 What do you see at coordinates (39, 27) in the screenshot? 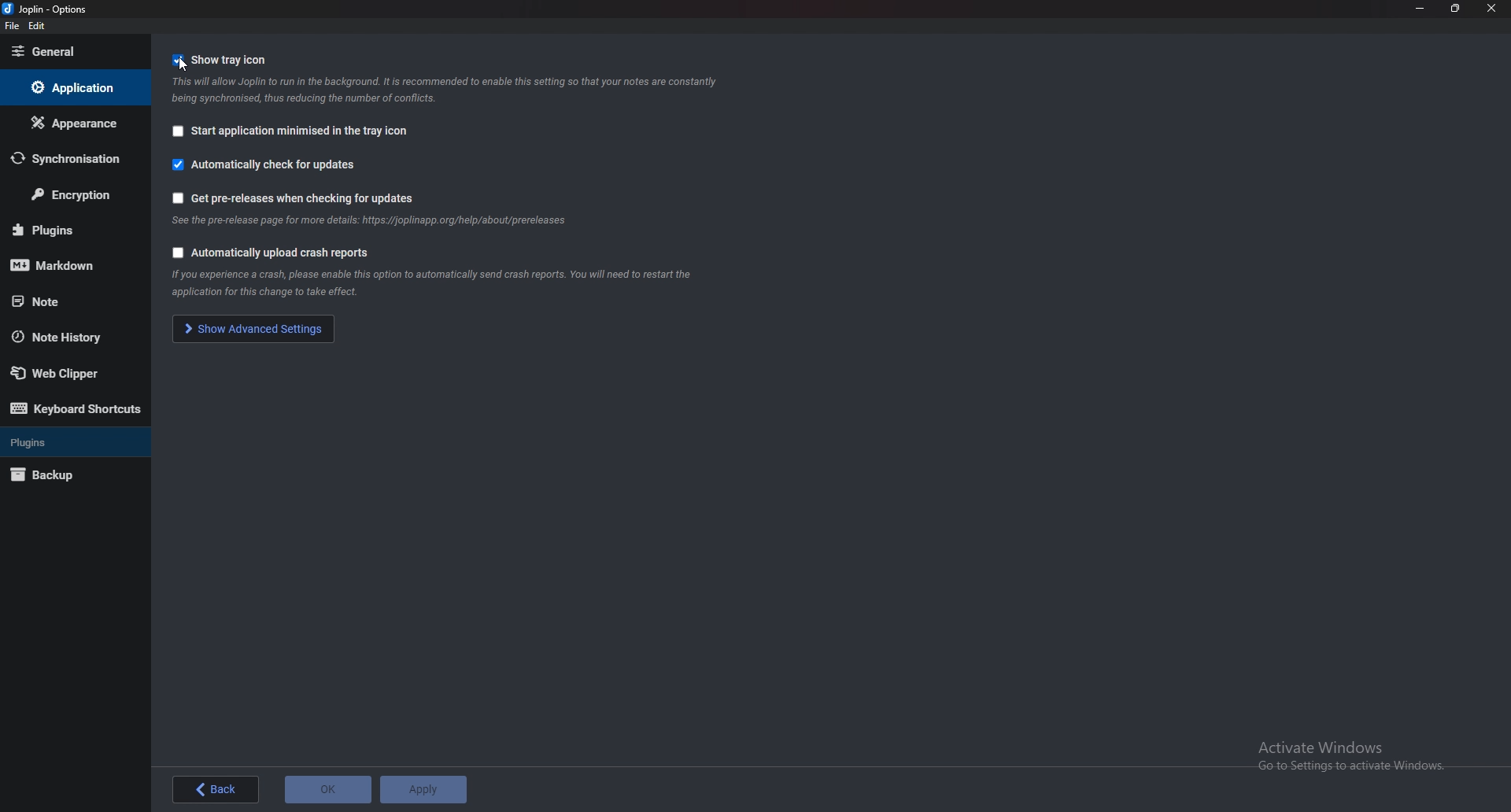
I see `Edit` at bounding box center [39, 27].